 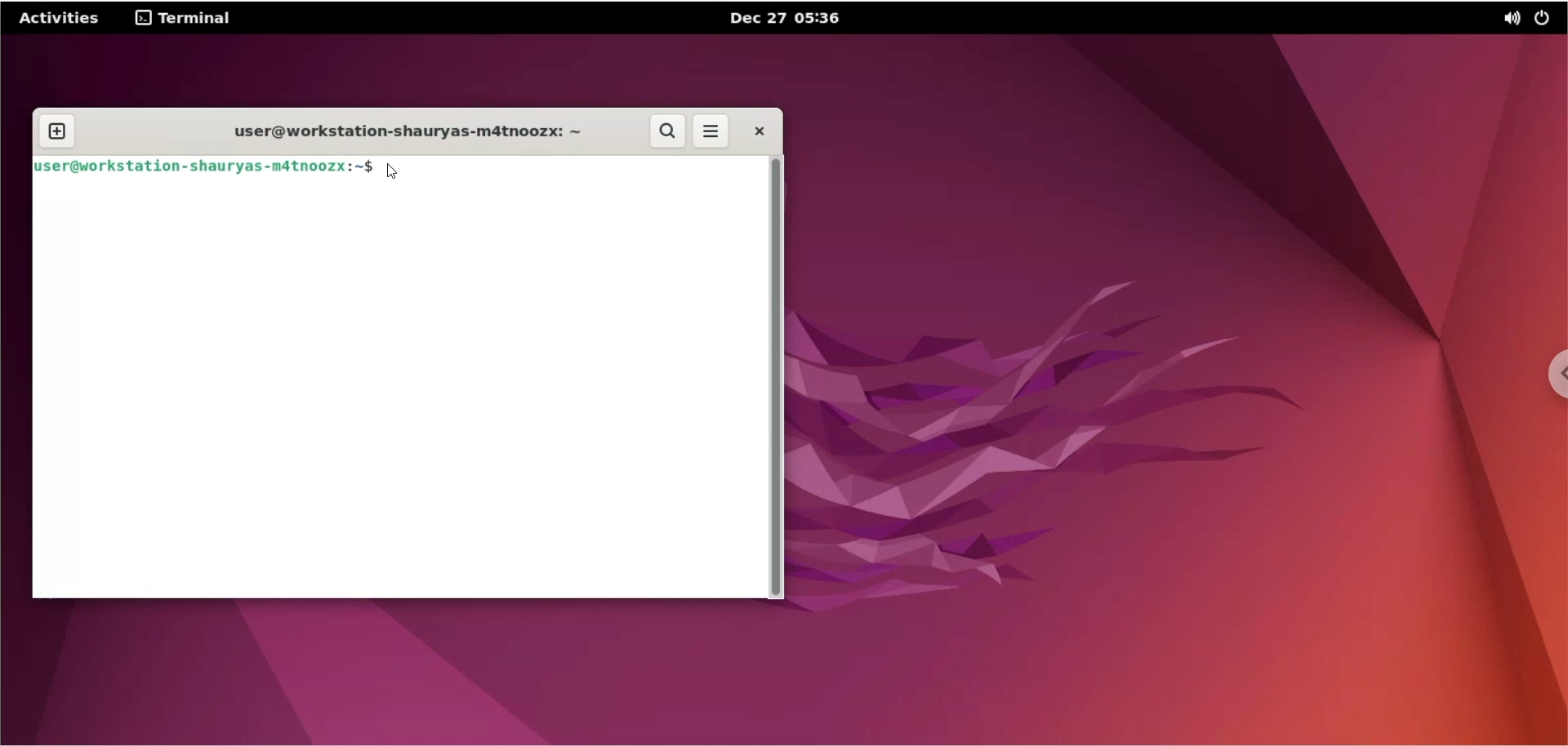 I want to click on new tab, so click(x=56, y=132).